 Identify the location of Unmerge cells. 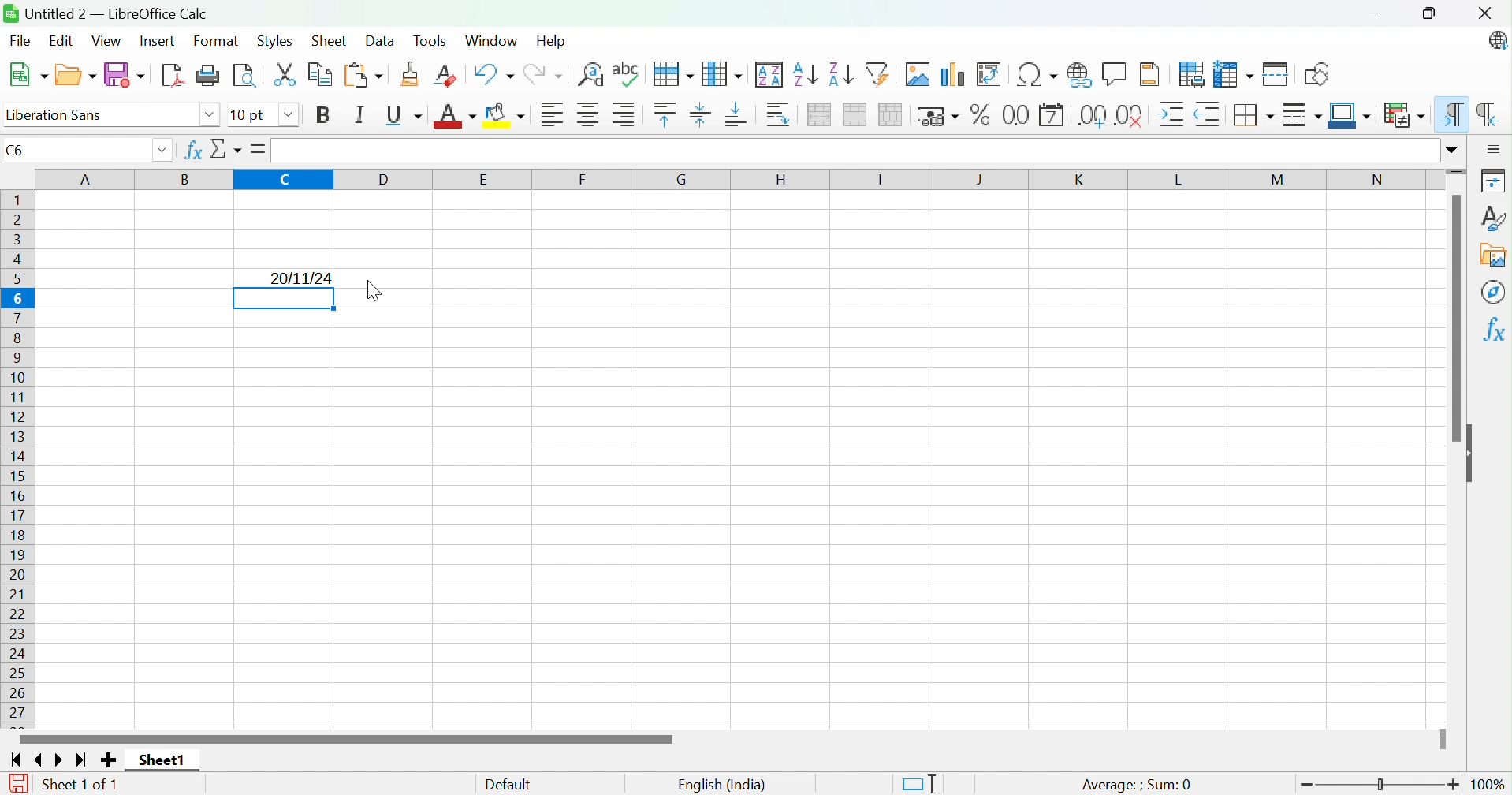
(892, 114).